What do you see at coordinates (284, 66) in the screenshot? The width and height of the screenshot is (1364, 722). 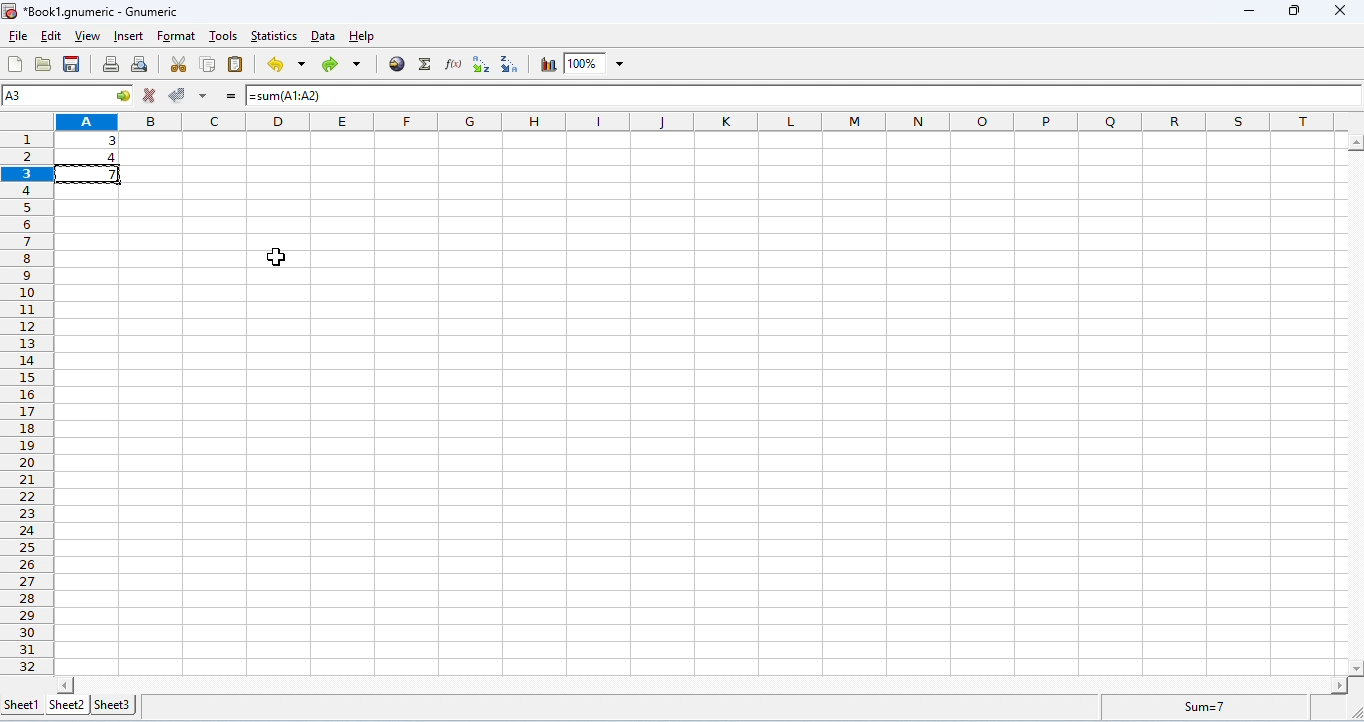 I see `undo` at bounding box center [284, 66].